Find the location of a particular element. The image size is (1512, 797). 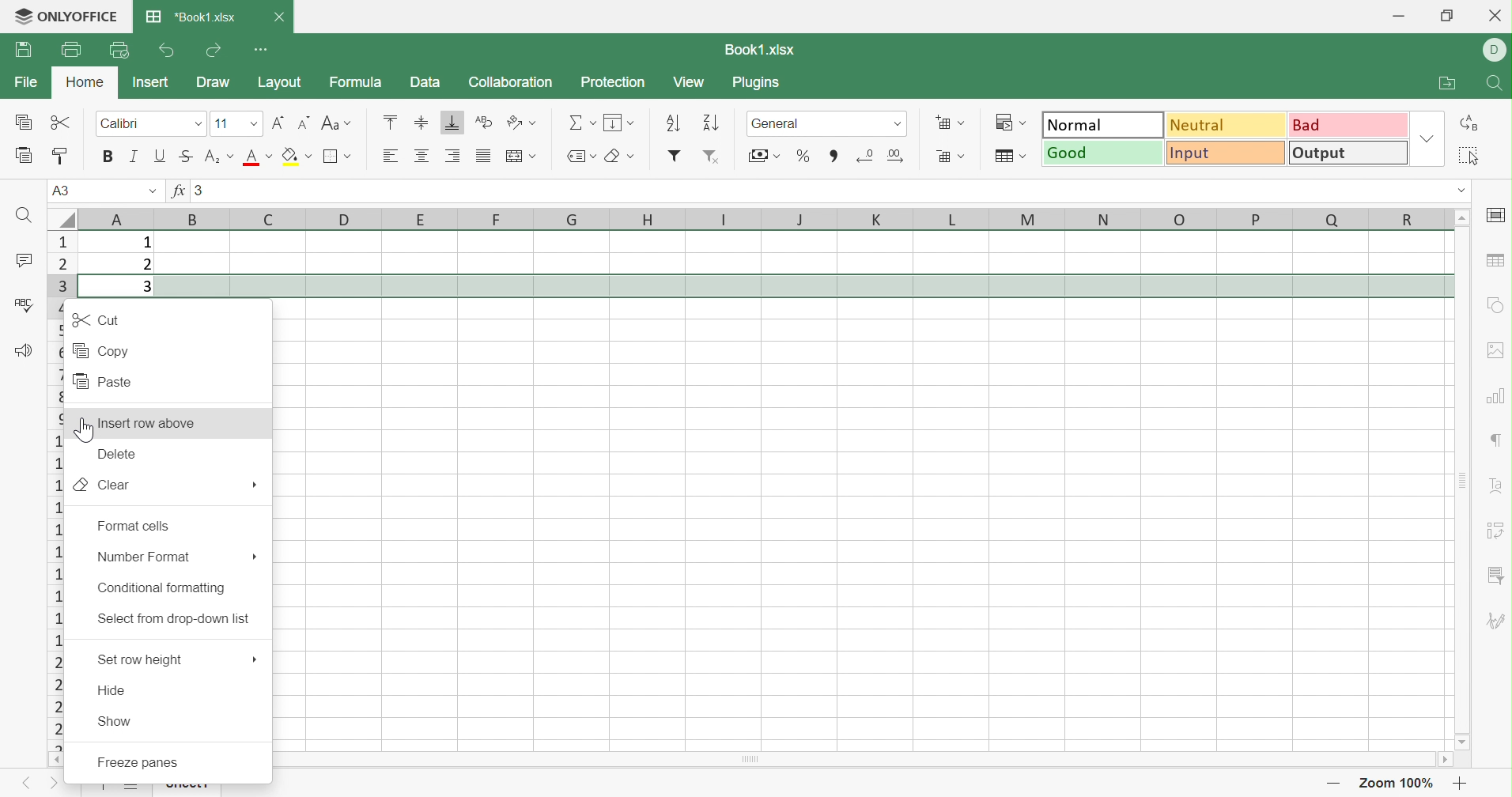

Wrap Text is located at coordinates (483, 120).